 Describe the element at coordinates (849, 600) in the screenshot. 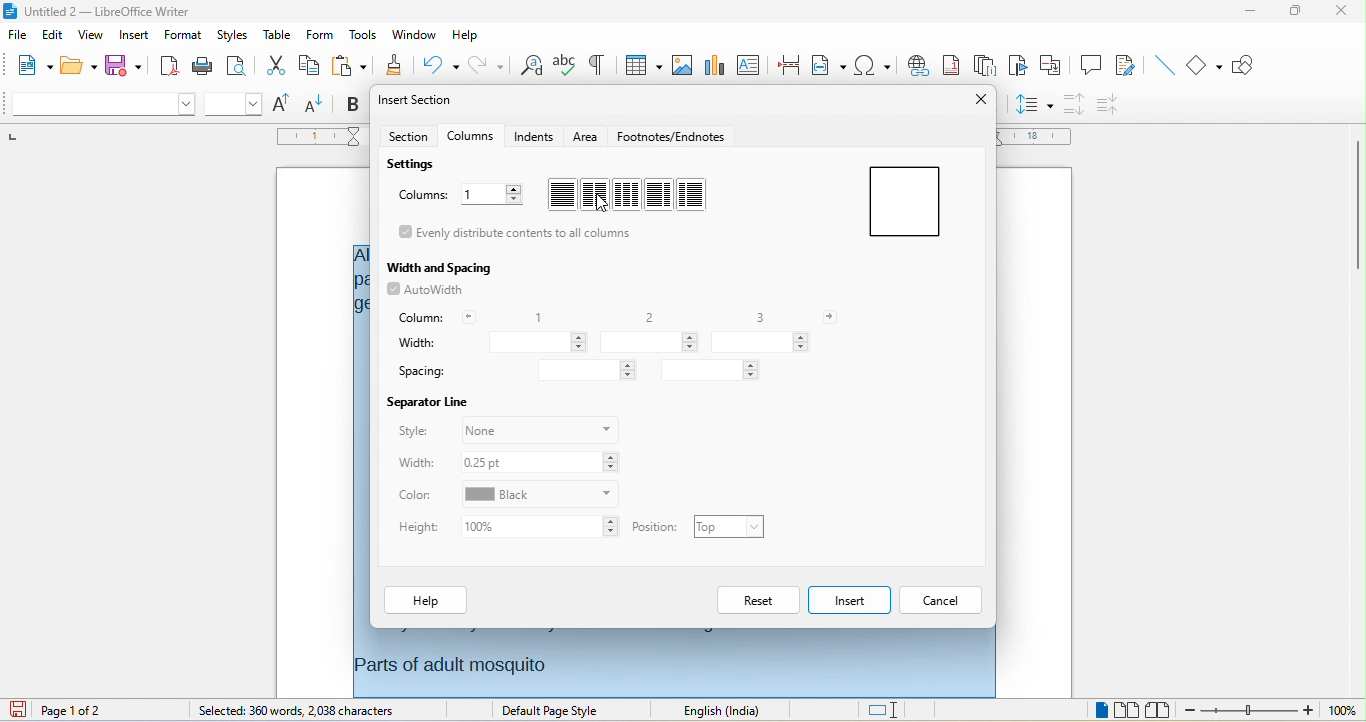

I see `insert` at that location.